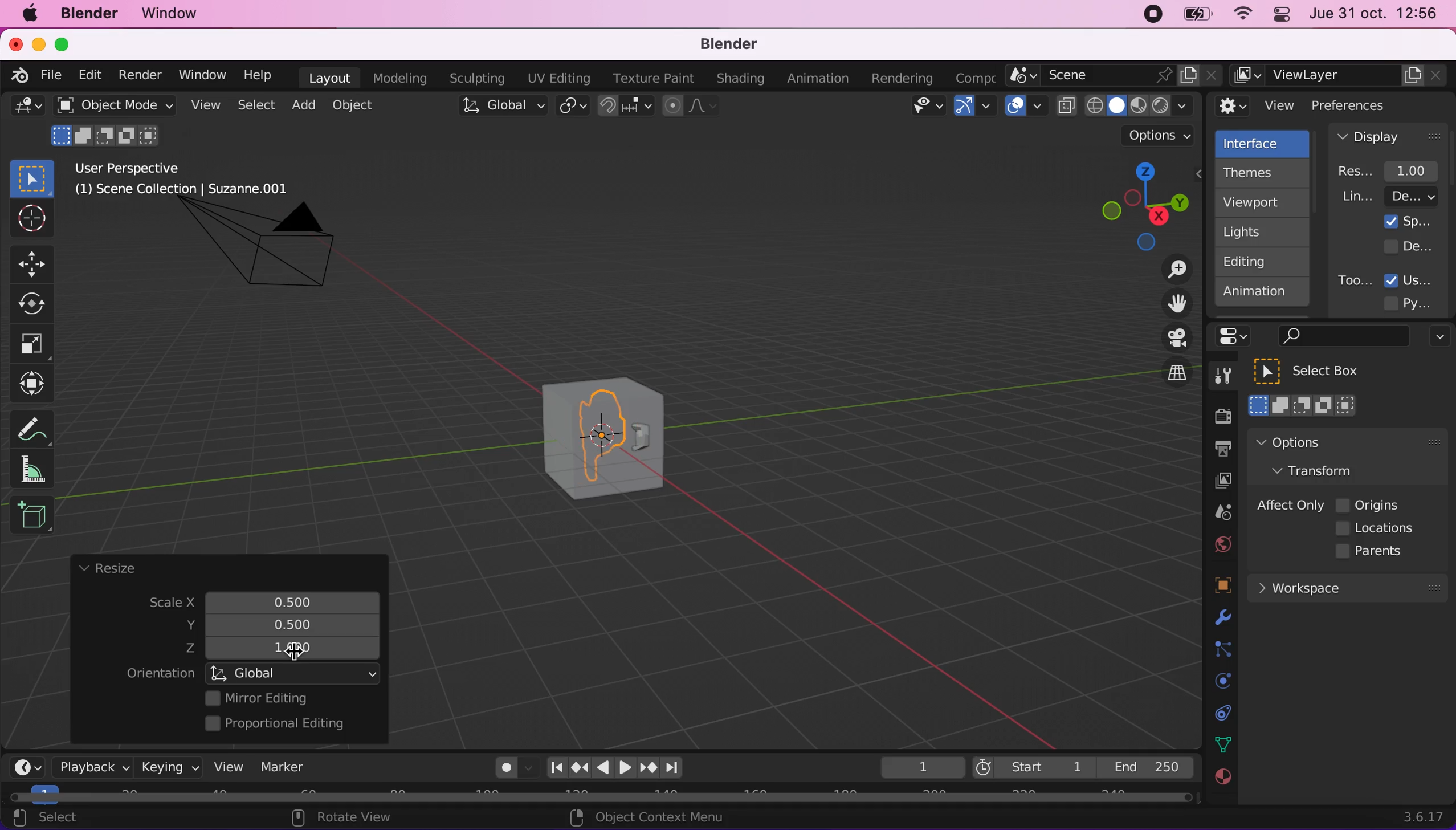 The height and width of the screenshot is (830, 1456). I want to click on help, so click(259, 74).